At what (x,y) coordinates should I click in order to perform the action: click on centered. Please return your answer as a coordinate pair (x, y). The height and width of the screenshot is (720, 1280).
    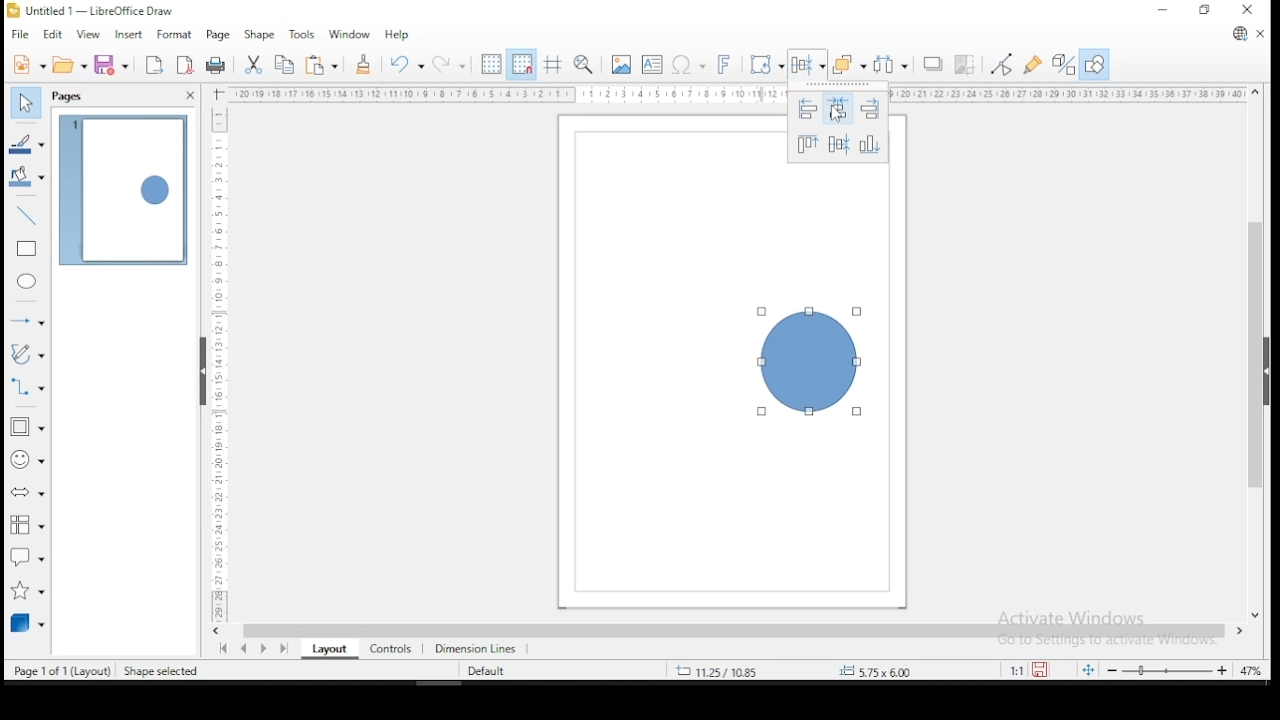
    Looking at the image, I should click on (838, 110).